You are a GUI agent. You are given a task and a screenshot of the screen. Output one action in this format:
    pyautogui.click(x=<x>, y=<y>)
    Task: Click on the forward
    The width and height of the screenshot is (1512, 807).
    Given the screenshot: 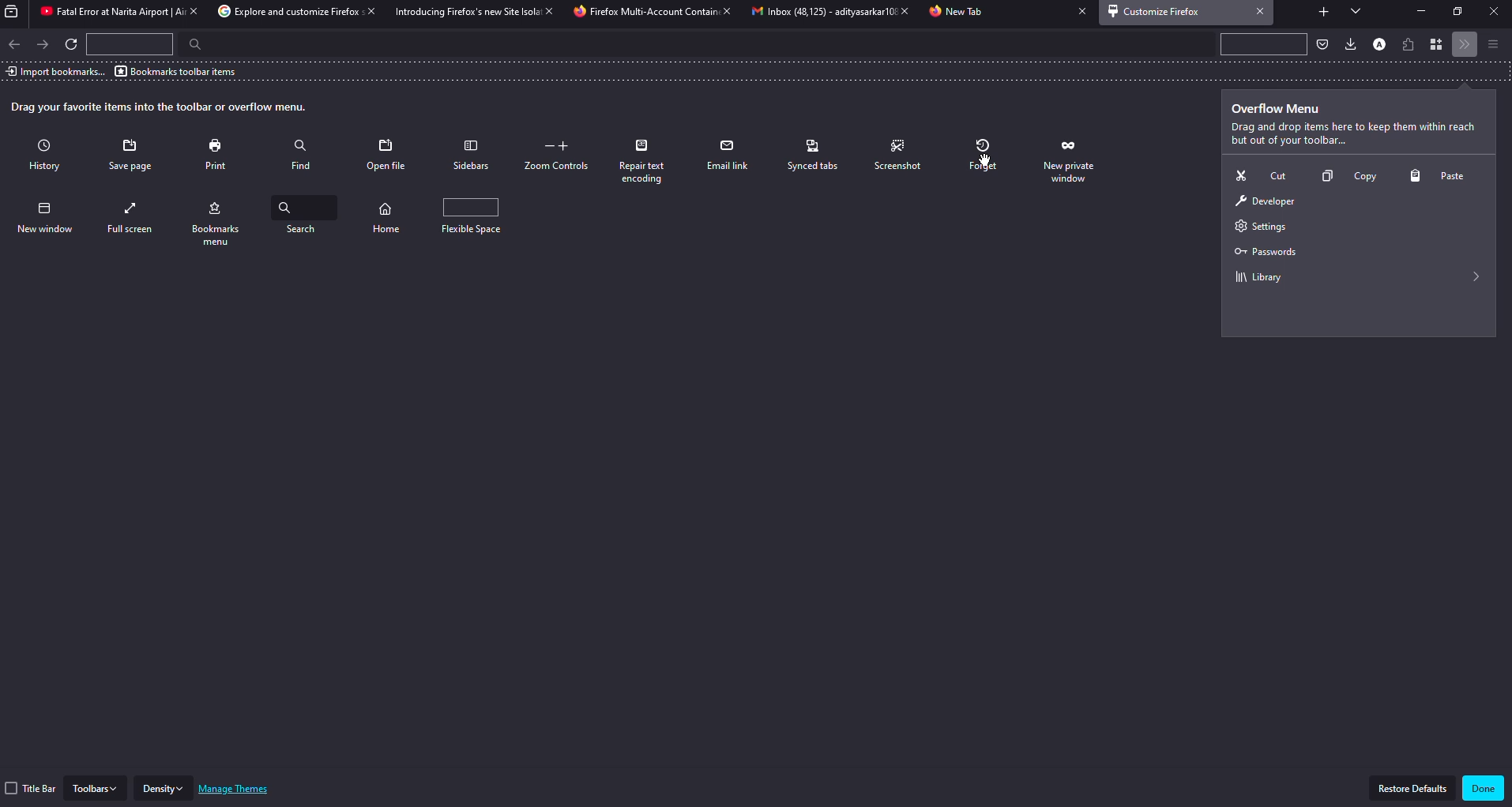 What is the action you would take?
    pyautogui.click(x=44, y=43)
    